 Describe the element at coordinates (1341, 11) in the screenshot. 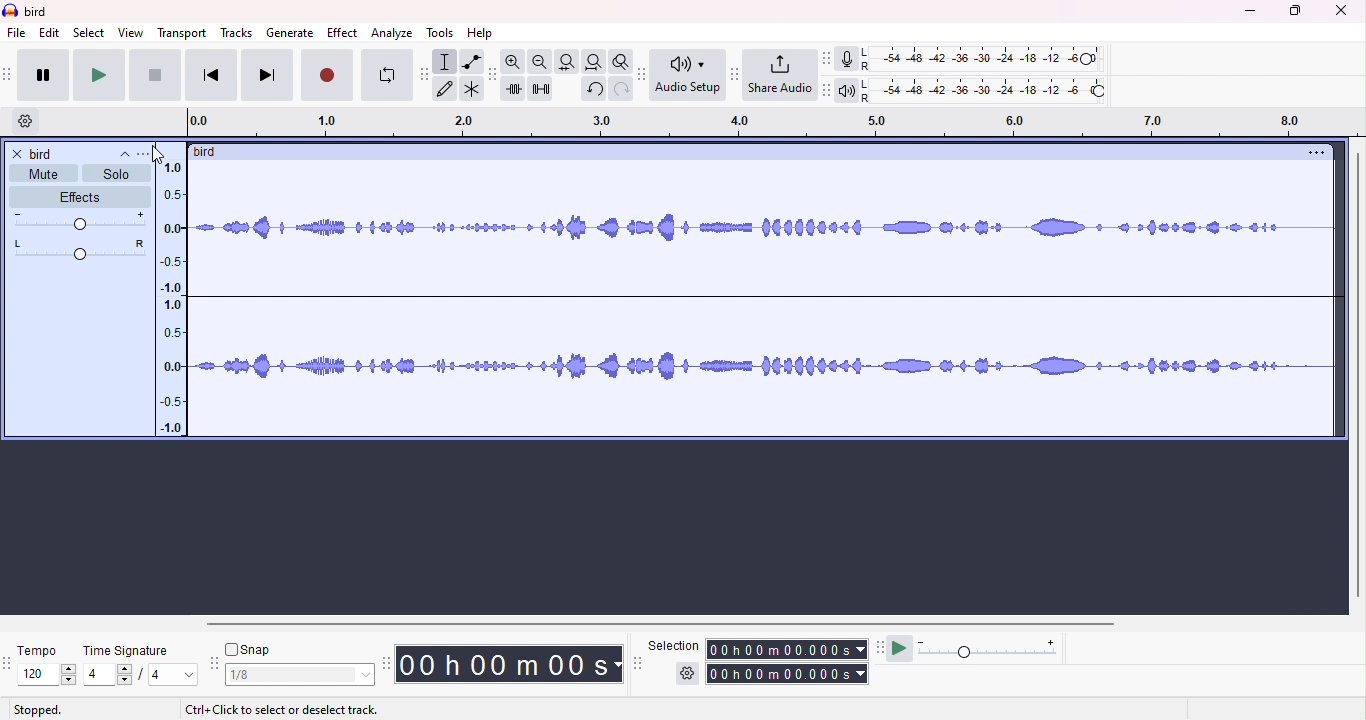

I see `close` at that location.